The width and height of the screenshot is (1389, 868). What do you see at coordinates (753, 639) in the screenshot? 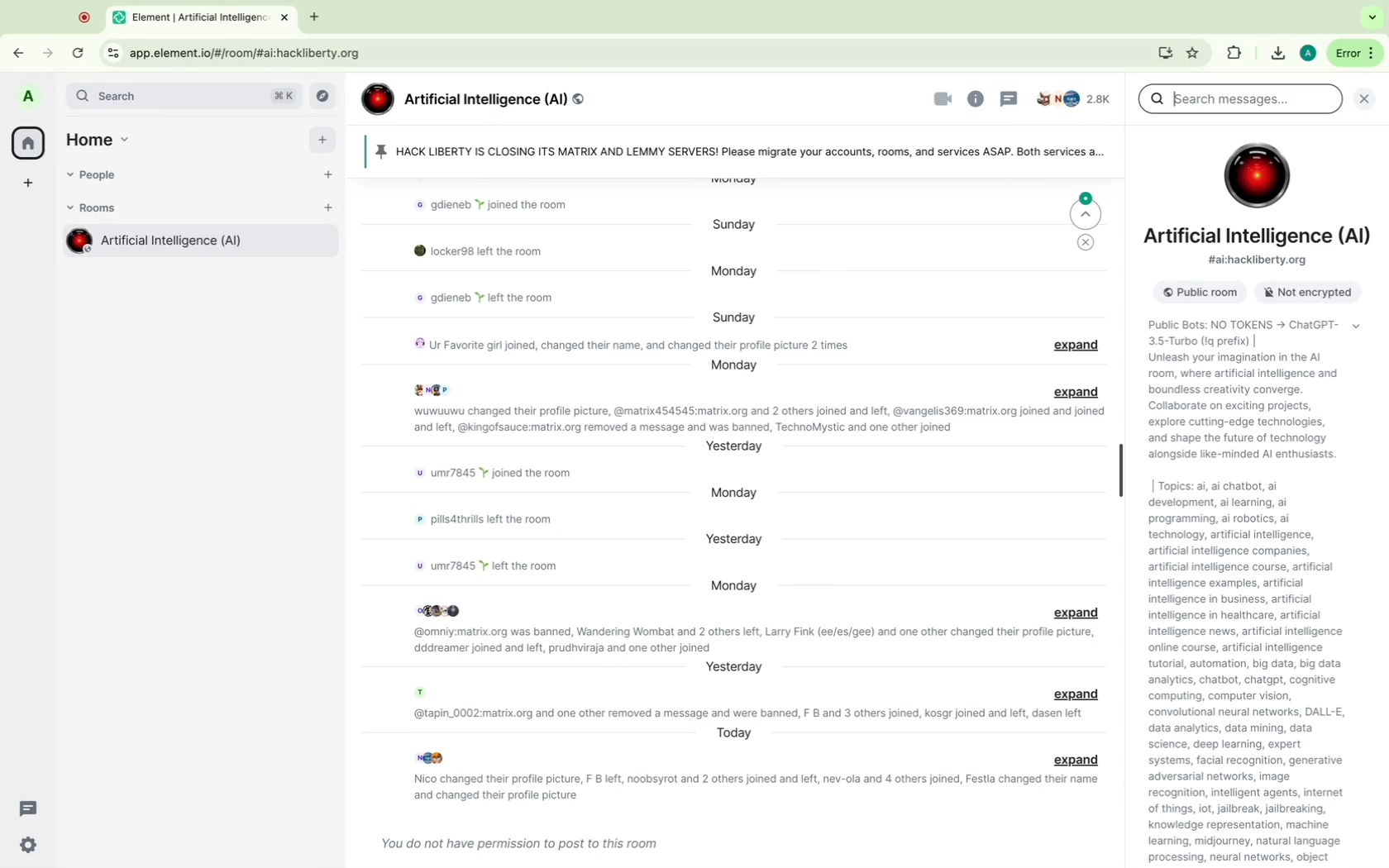
I see `message` at bounding box center [753, 639].